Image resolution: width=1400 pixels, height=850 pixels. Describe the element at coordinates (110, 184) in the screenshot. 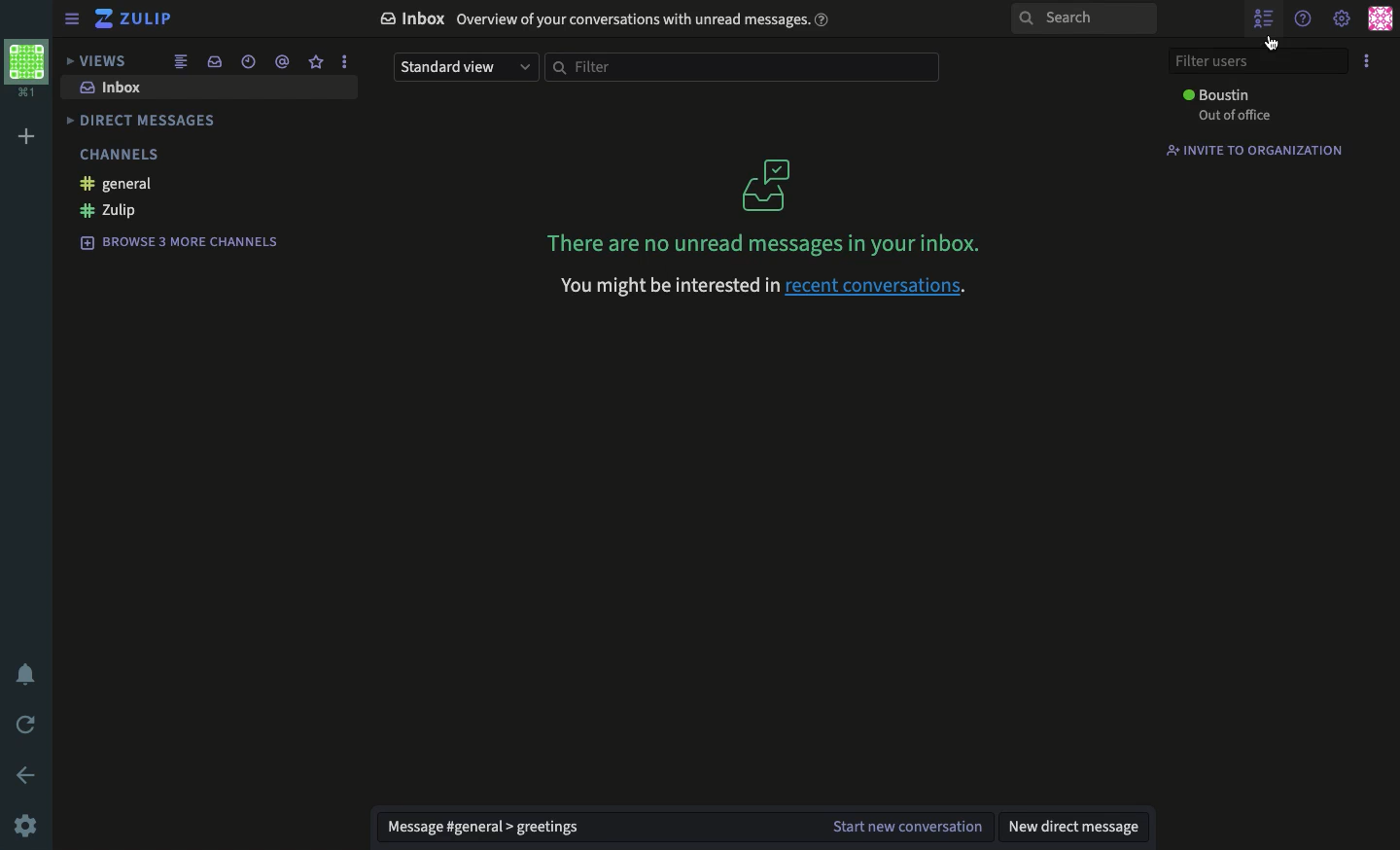

I see `general` at that location.